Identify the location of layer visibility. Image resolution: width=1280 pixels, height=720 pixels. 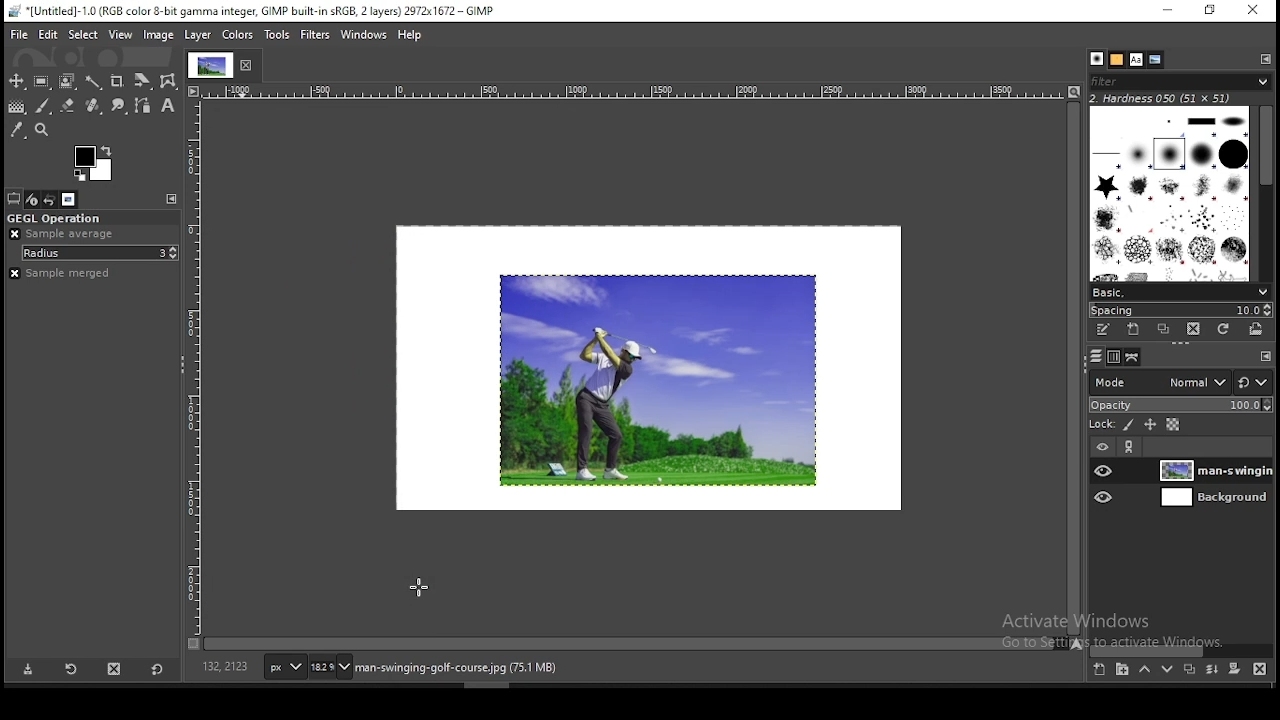
(1101, 448).